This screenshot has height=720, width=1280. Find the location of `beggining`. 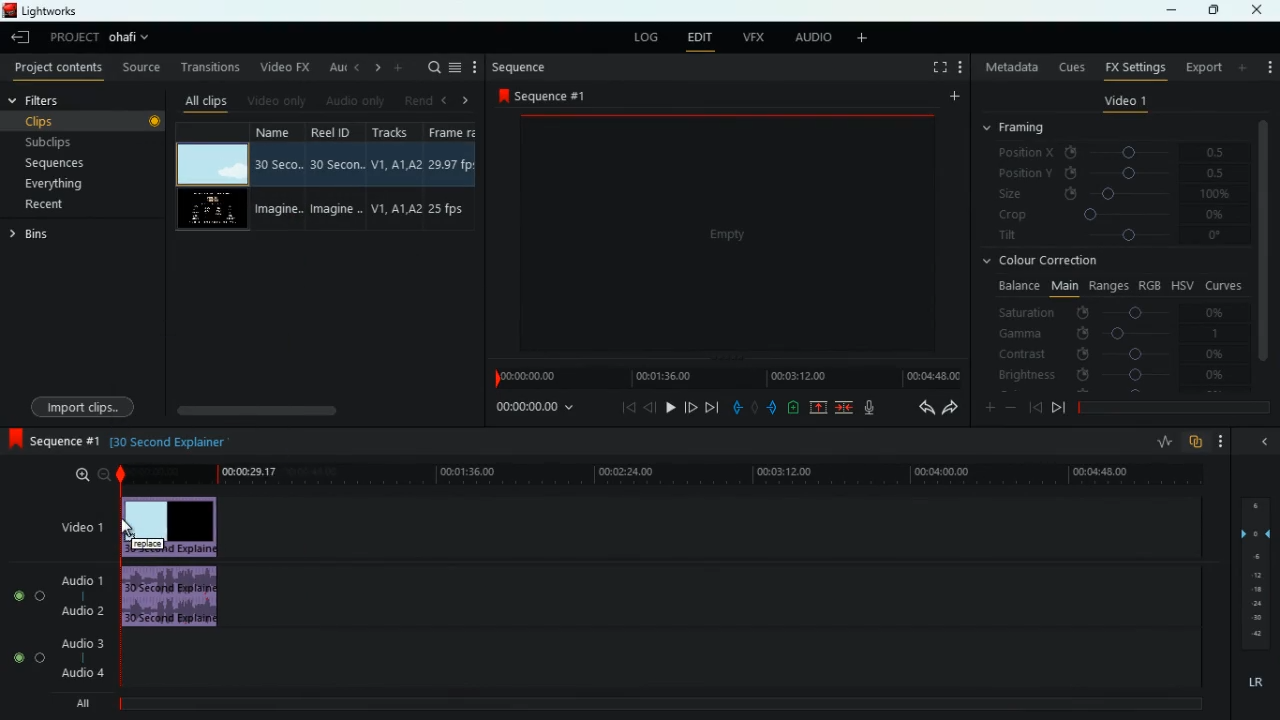

beggining is located at coordinates (622, 406).